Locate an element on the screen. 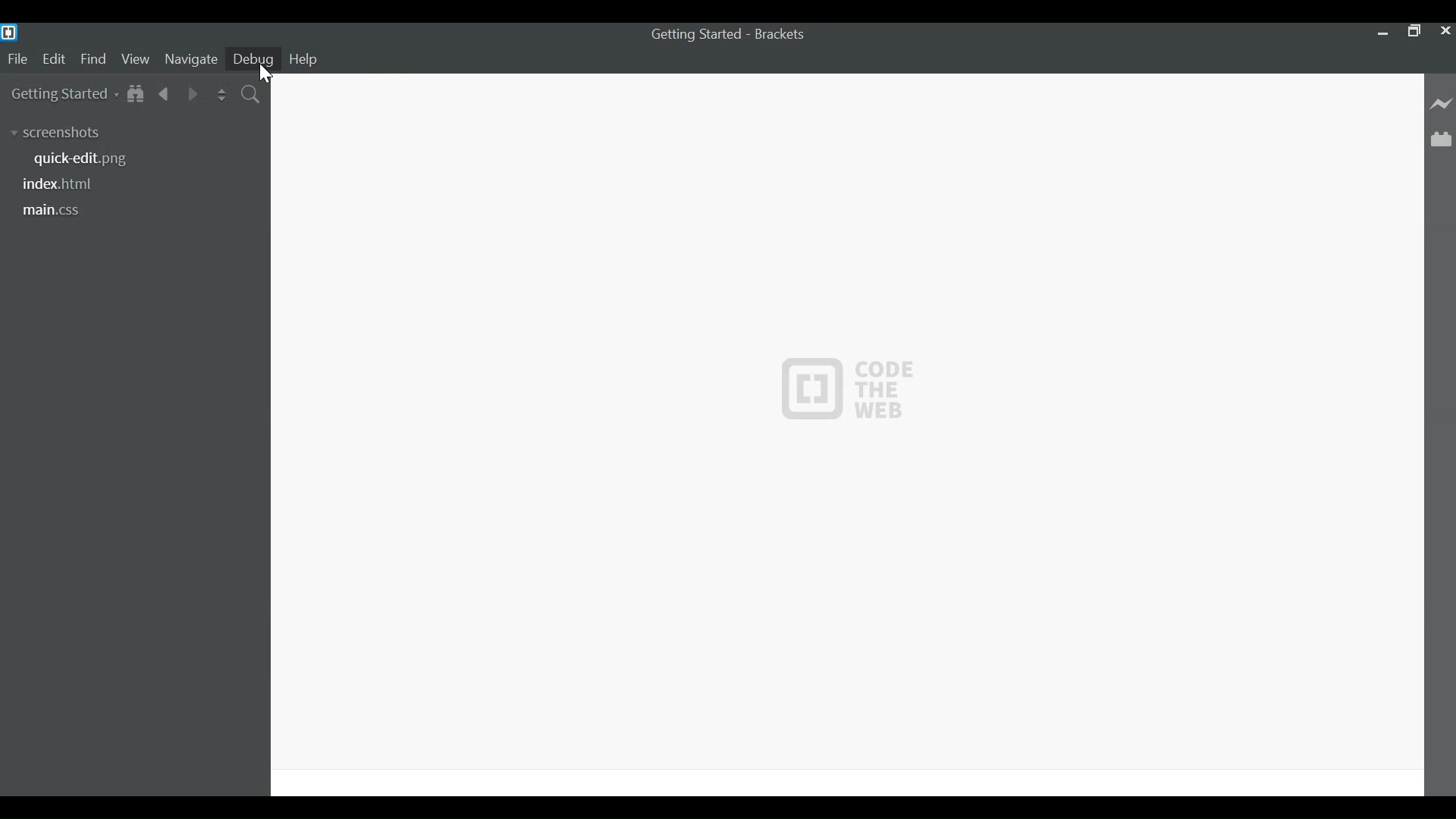 Image resolution: width=1456 pixels, height=819 pixels. File is located at coordinates (17, 59).